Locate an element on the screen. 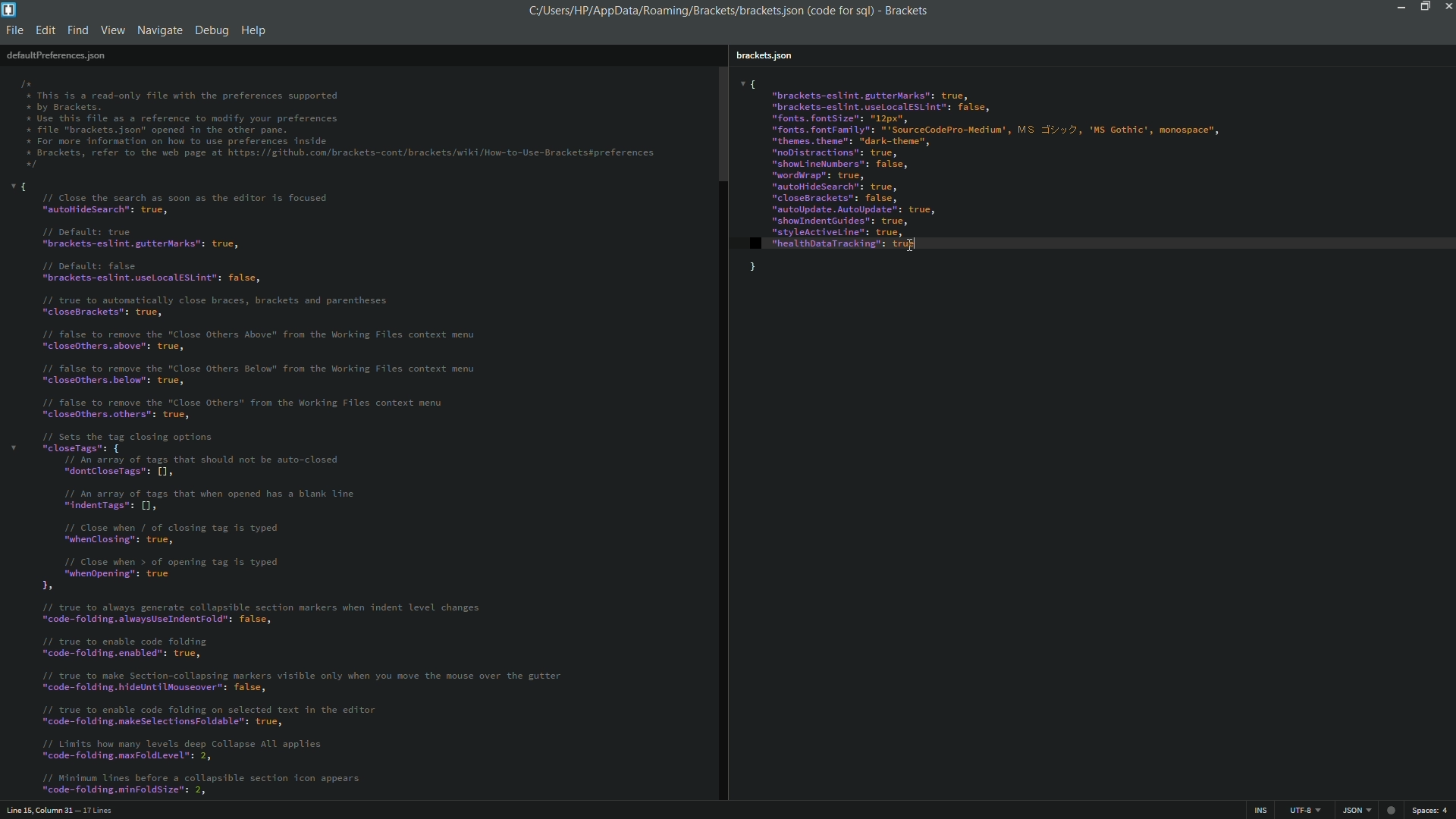 This screenshot has width=1456, height=819. File menu is located at coordinates (14, 32).